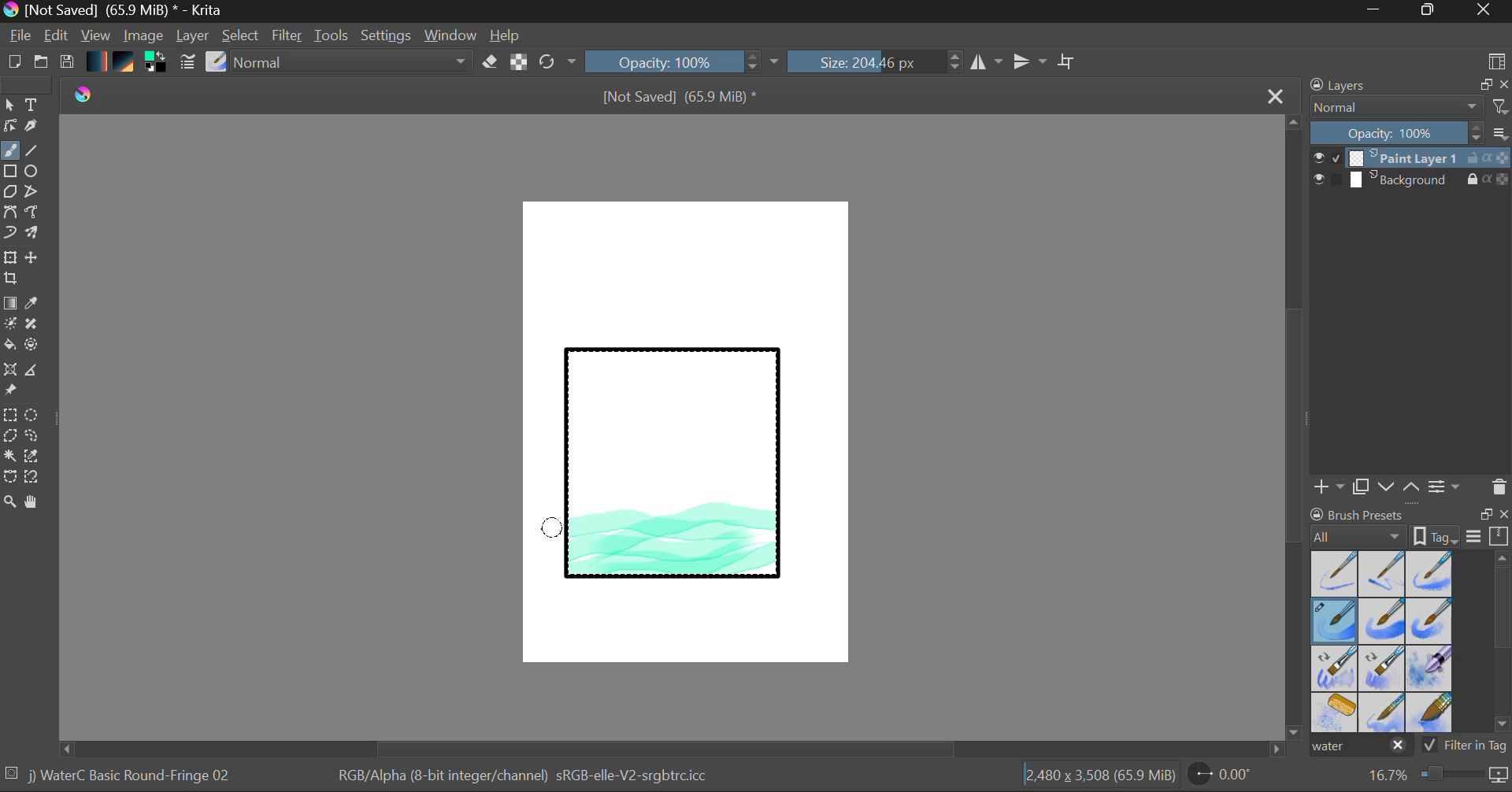  Describe the element at coordinates (11, 325) in the screenshot. I see `Colorize Mask Tool` at that location.